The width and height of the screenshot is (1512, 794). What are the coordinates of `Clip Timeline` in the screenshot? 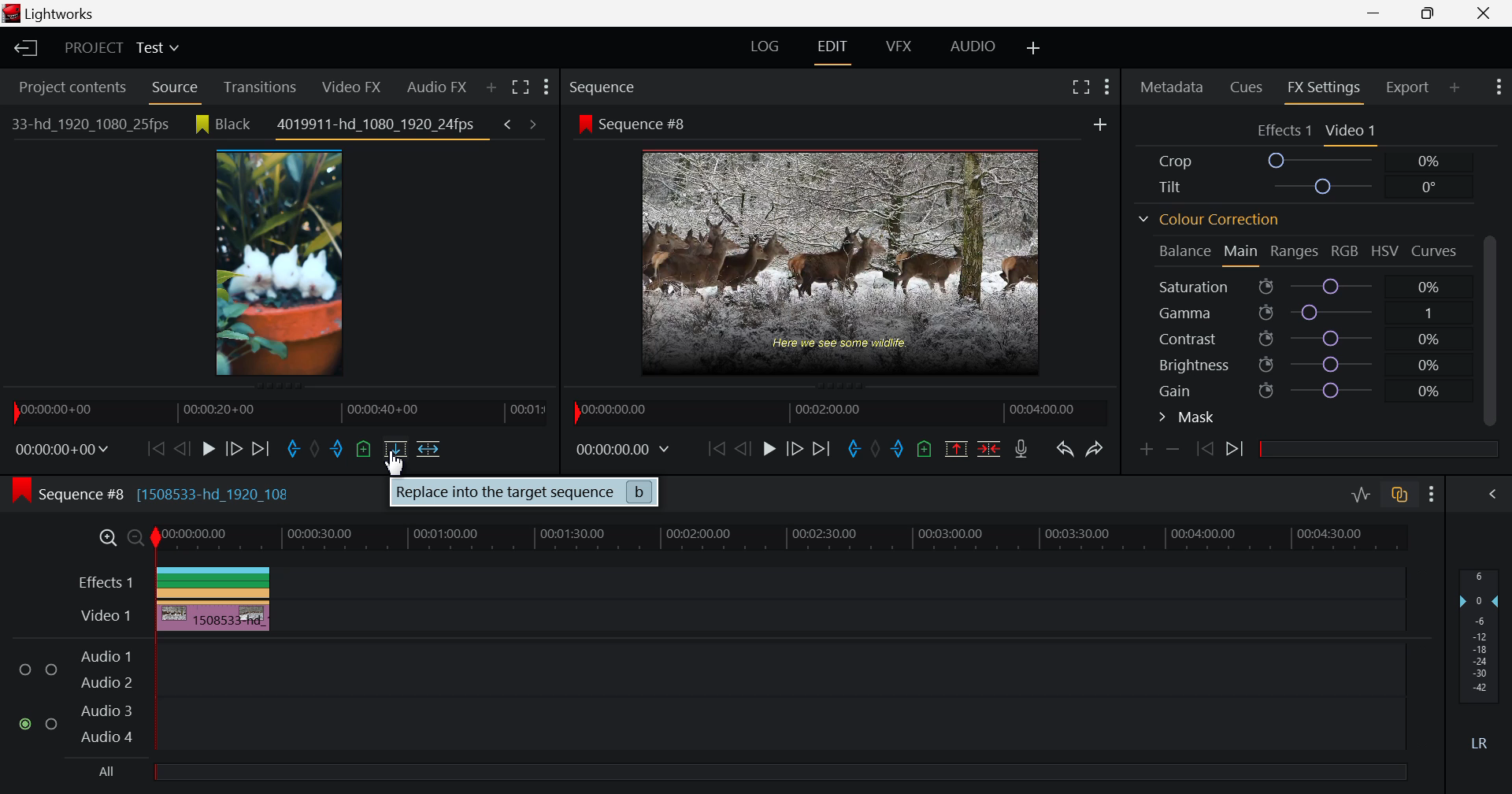 It's located at (280, 416).